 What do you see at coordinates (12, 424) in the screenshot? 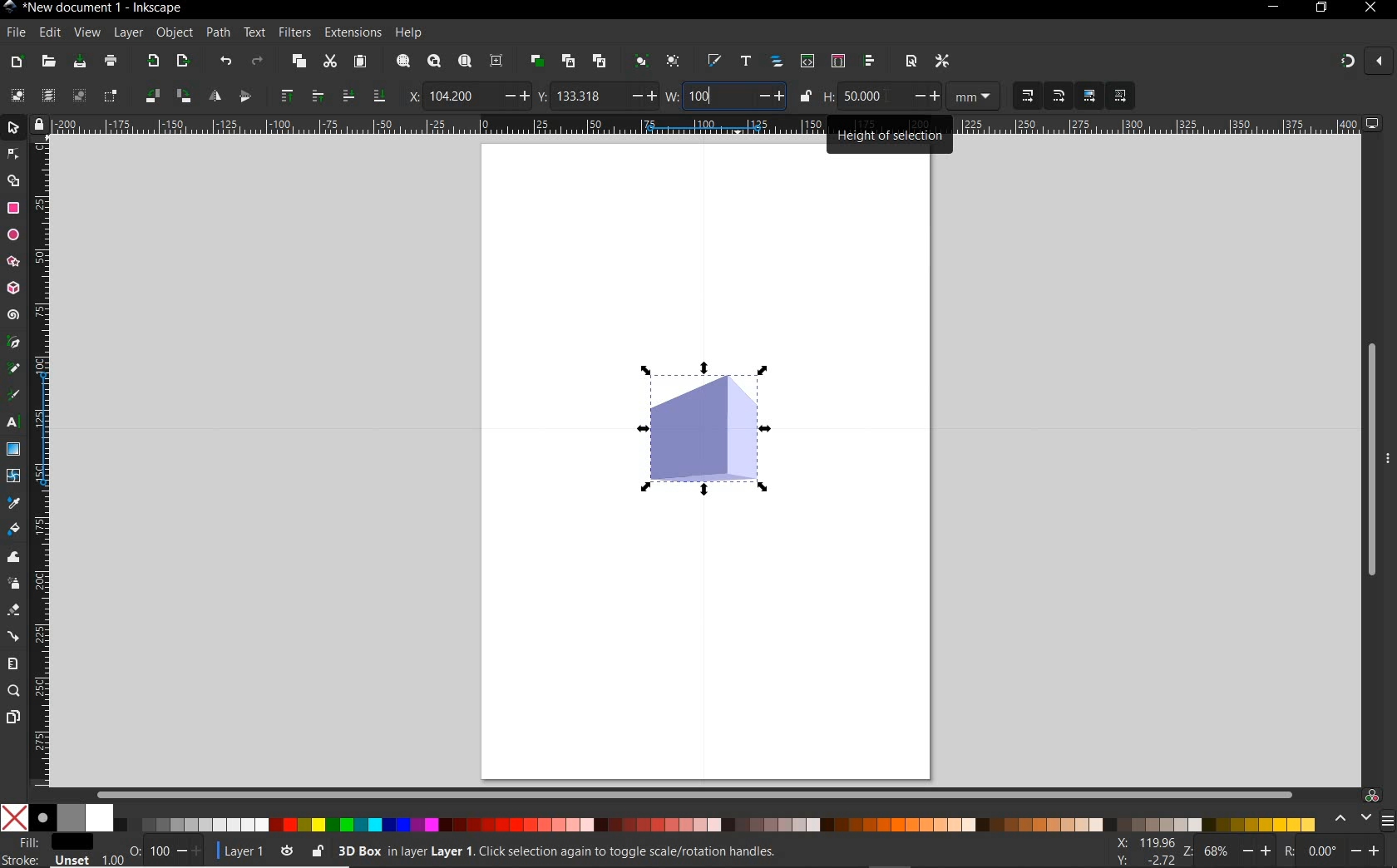
I see `text tool` at bounding box center [12, 424].